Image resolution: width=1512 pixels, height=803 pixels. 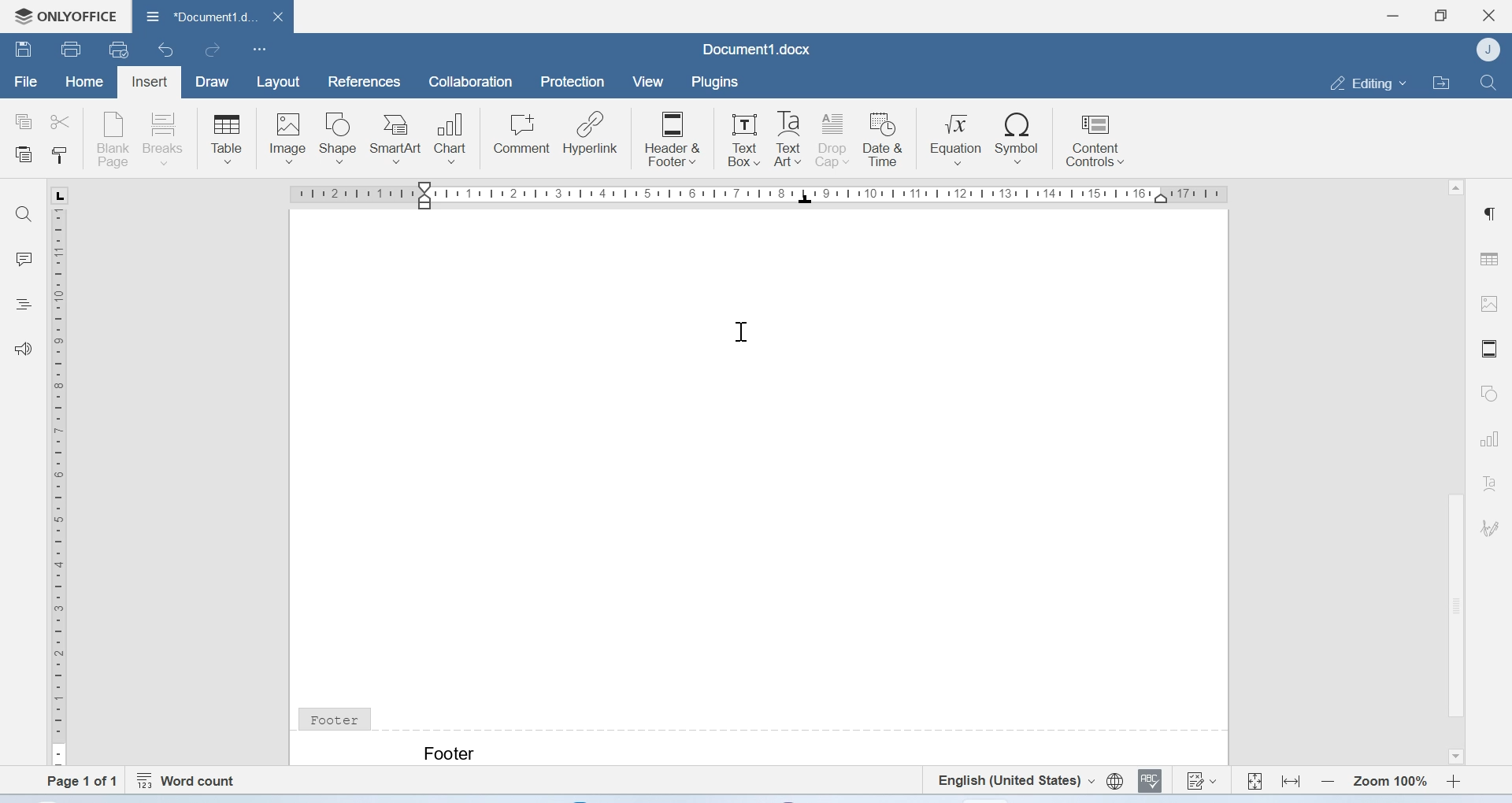 I want to click on Signature, so click(x=1488, y=526).